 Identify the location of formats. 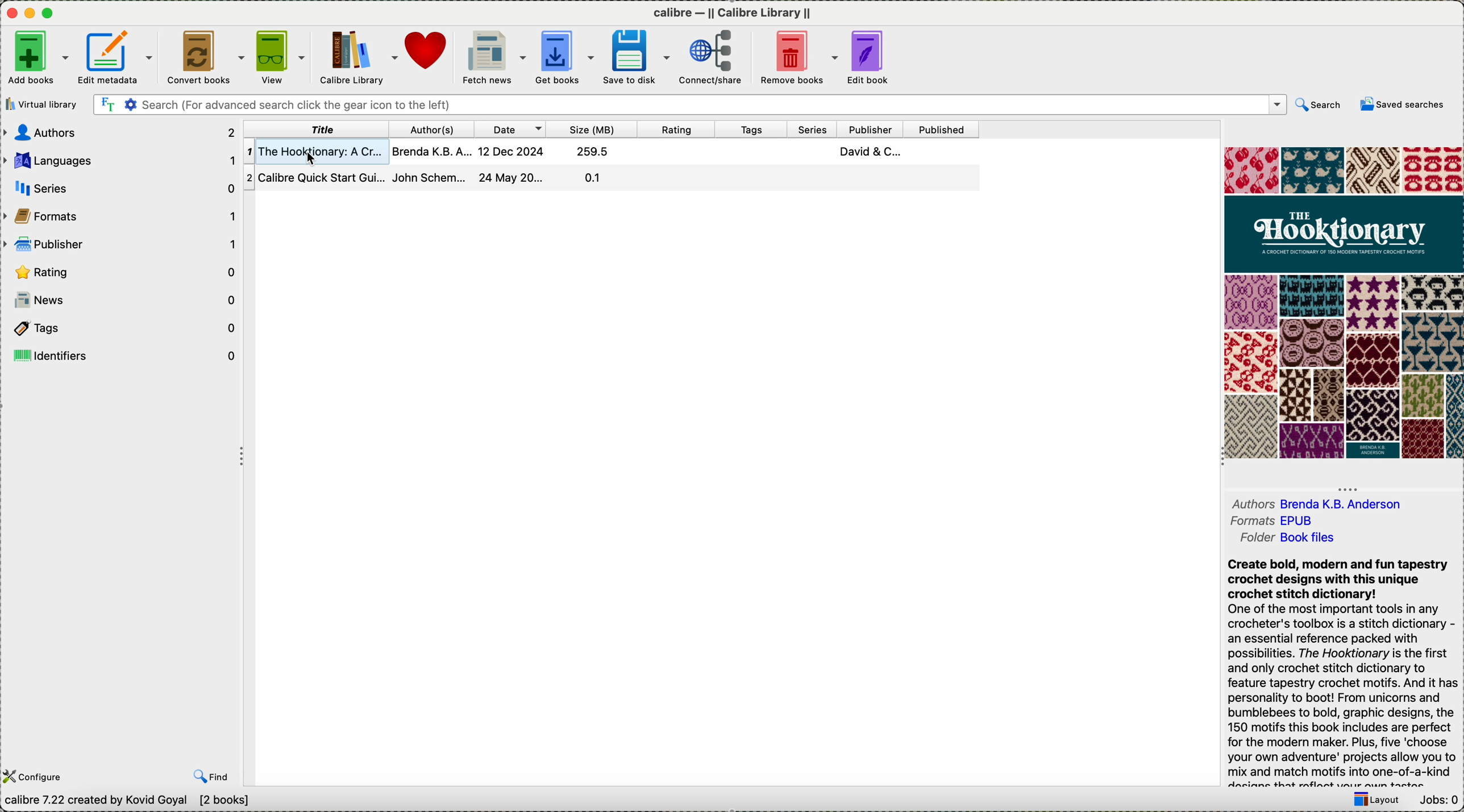
(122, 215).